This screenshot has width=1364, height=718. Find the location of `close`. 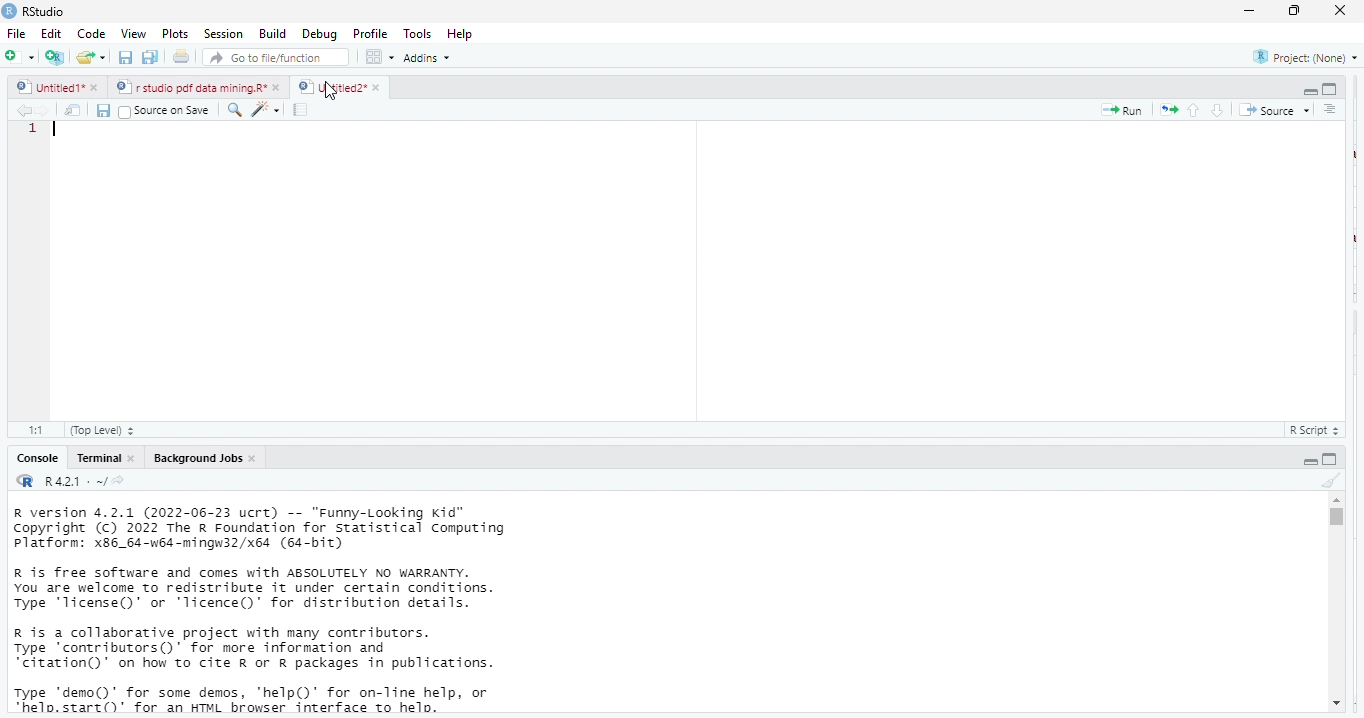

close is located at coordinates (1342, 11).